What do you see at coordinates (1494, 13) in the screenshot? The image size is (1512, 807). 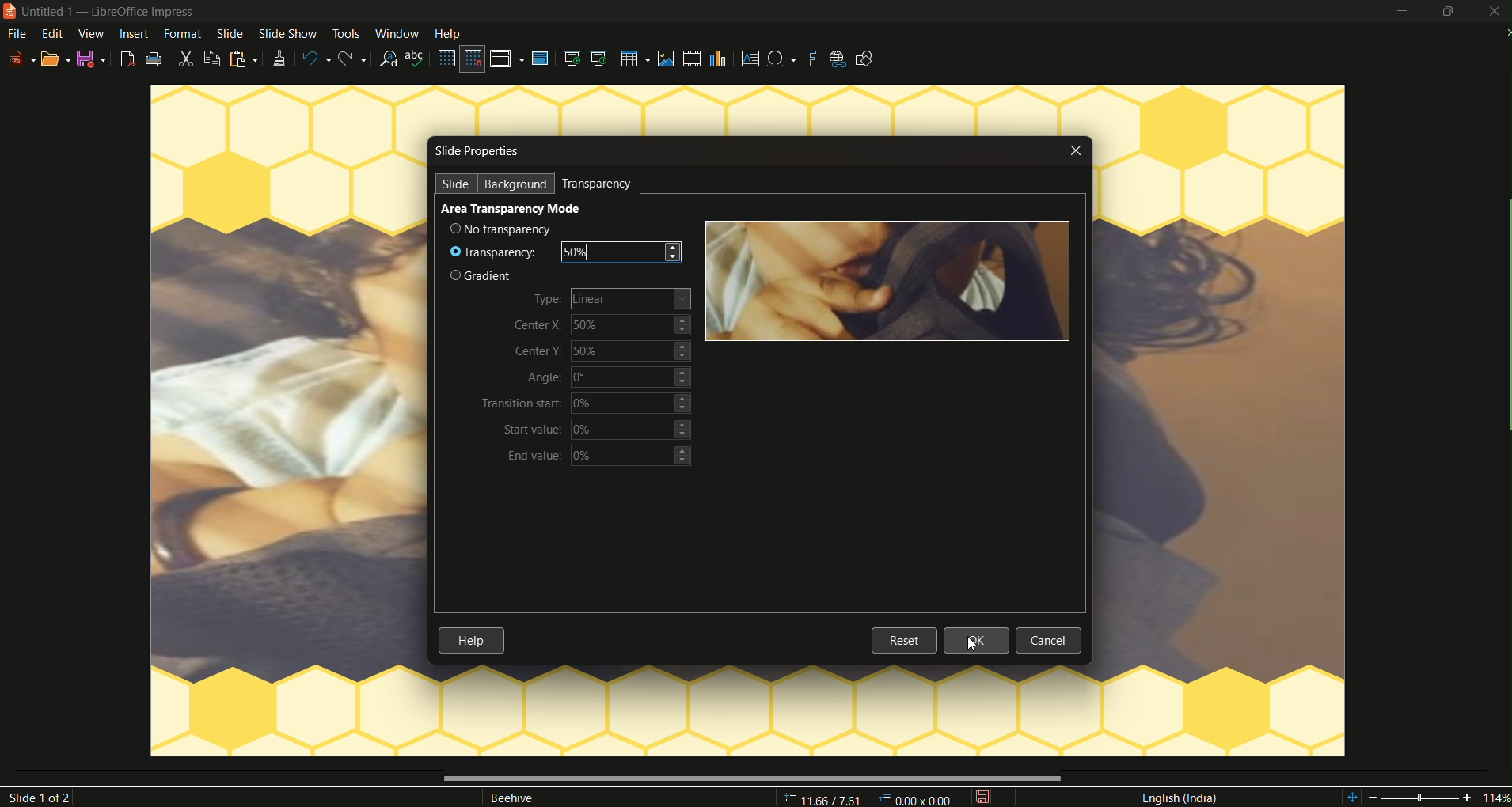 I see `close` at bounding box center [1494, 13].